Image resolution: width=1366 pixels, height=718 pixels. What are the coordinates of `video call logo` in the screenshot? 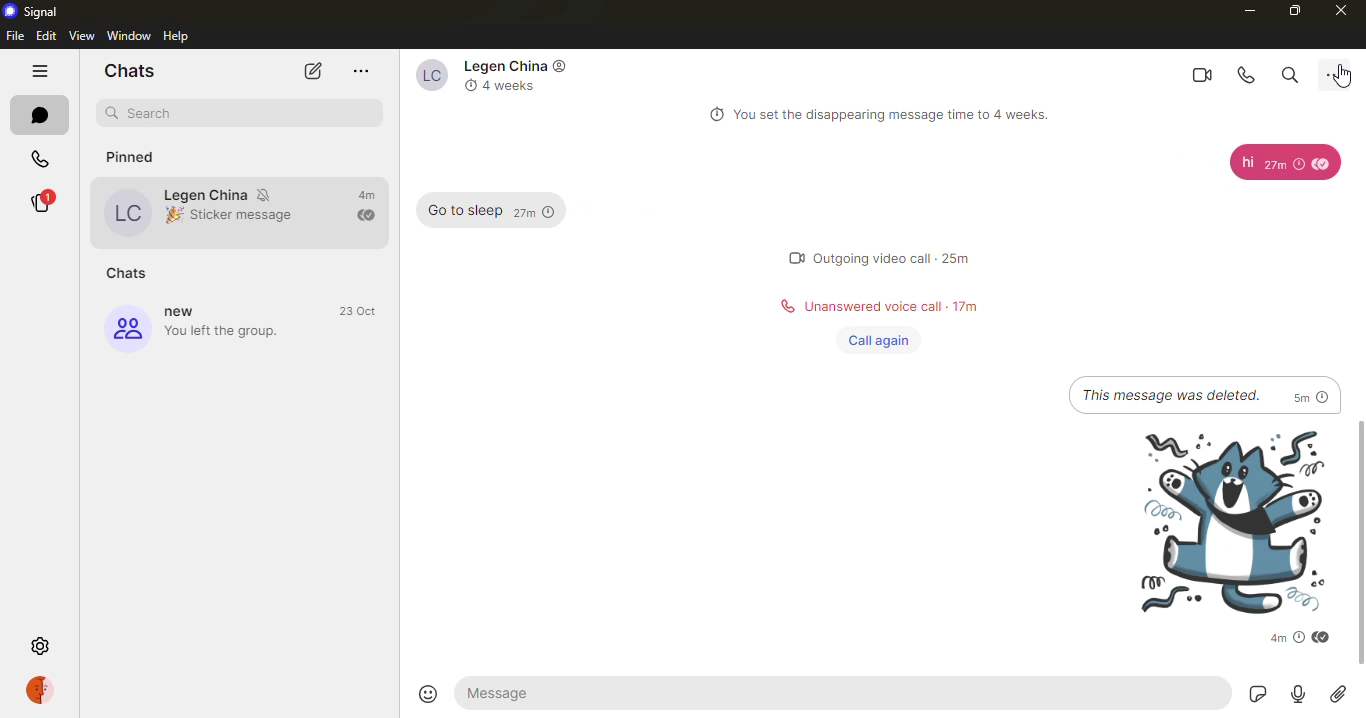 It's located at (786, 257).